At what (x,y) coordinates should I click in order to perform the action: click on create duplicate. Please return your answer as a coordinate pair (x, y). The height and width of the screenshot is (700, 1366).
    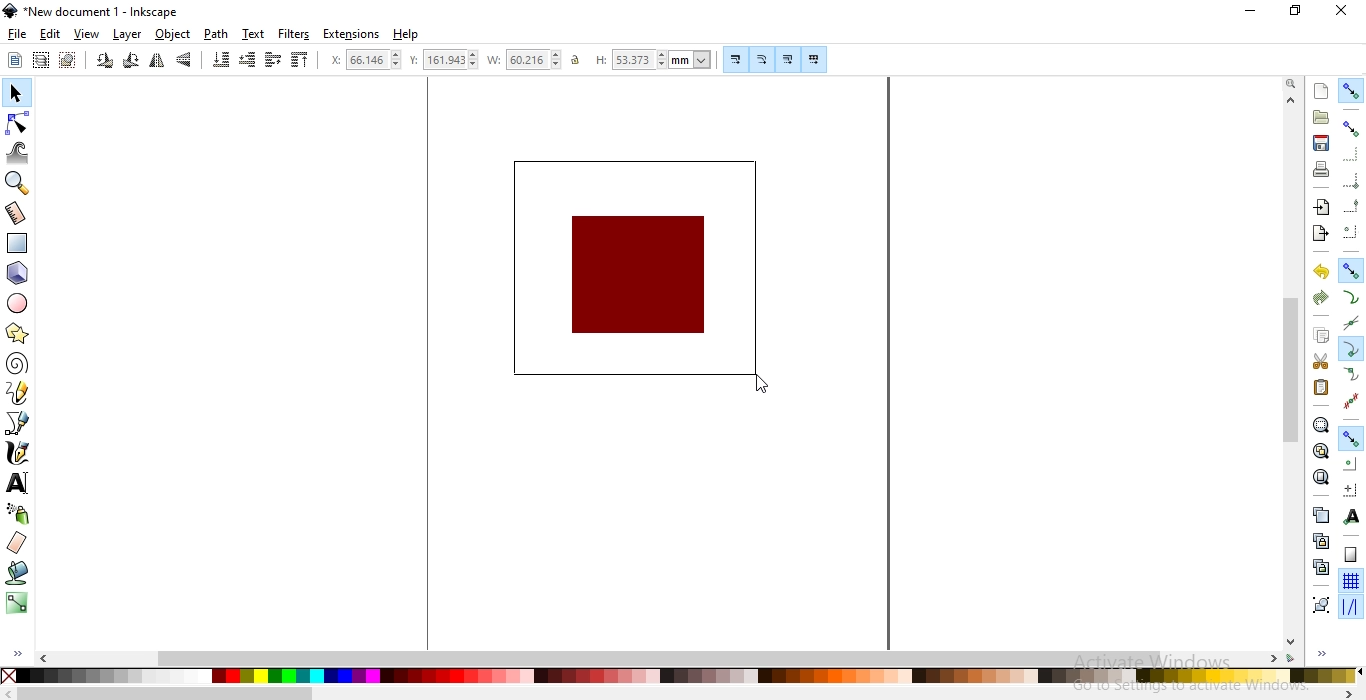
    Looking at the image, I should click on (1321, 514).